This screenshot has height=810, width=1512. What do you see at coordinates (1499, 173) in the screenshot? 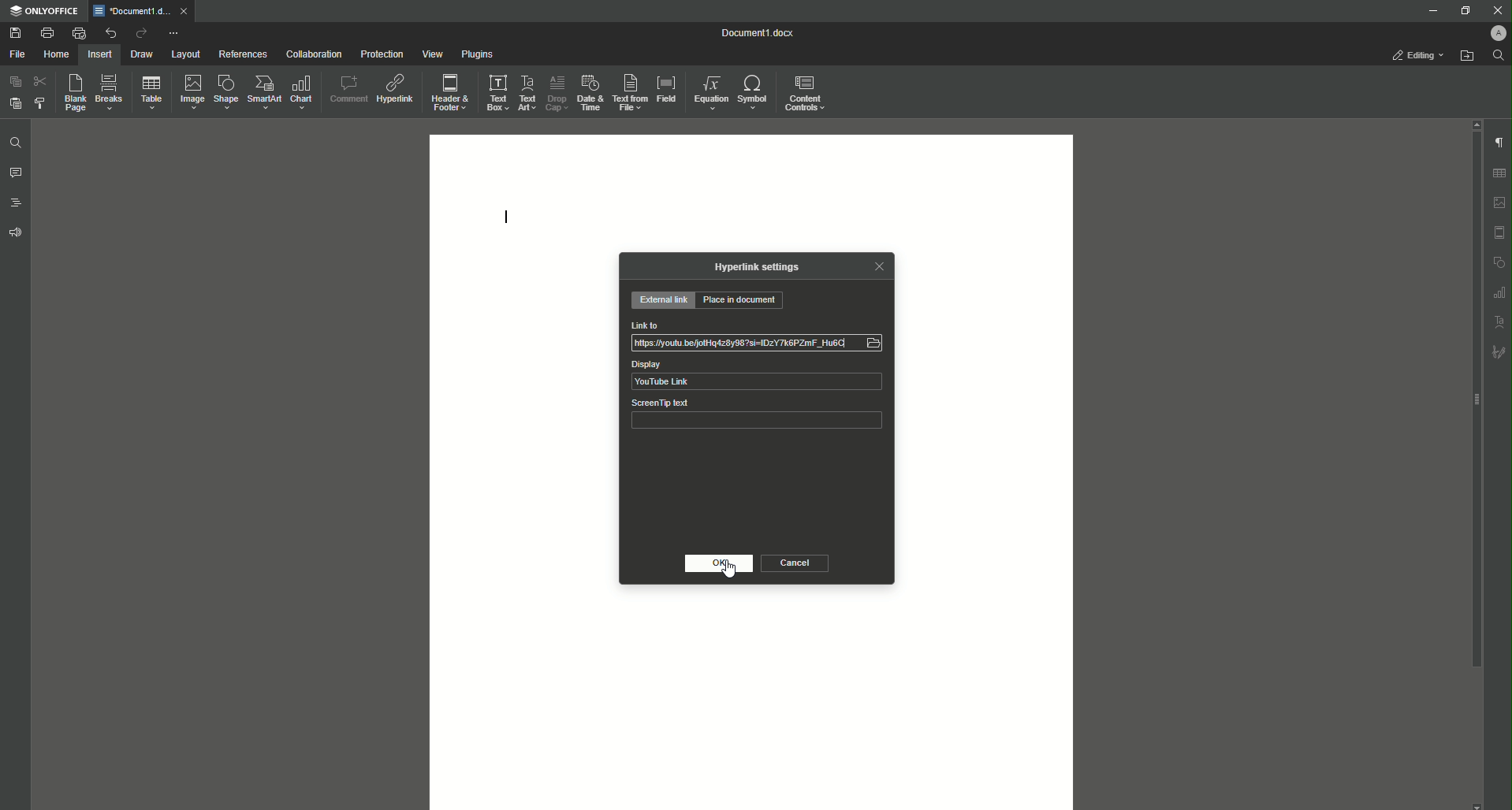
I see `Table settings` at bounding box center [1499, 173].